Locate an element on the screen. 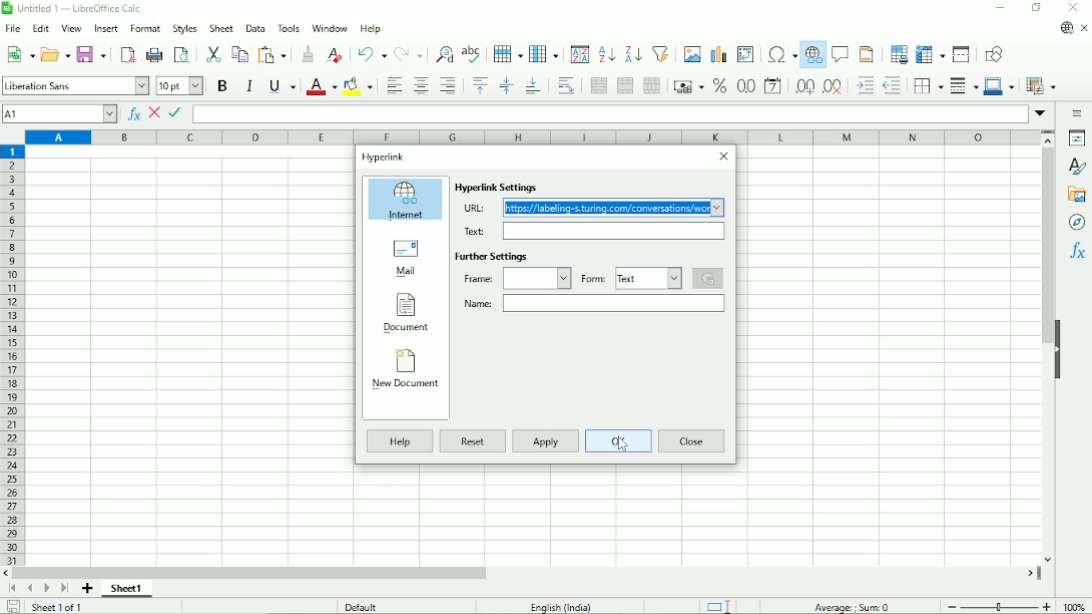  Center vertically is located at coordinates (506, 86).